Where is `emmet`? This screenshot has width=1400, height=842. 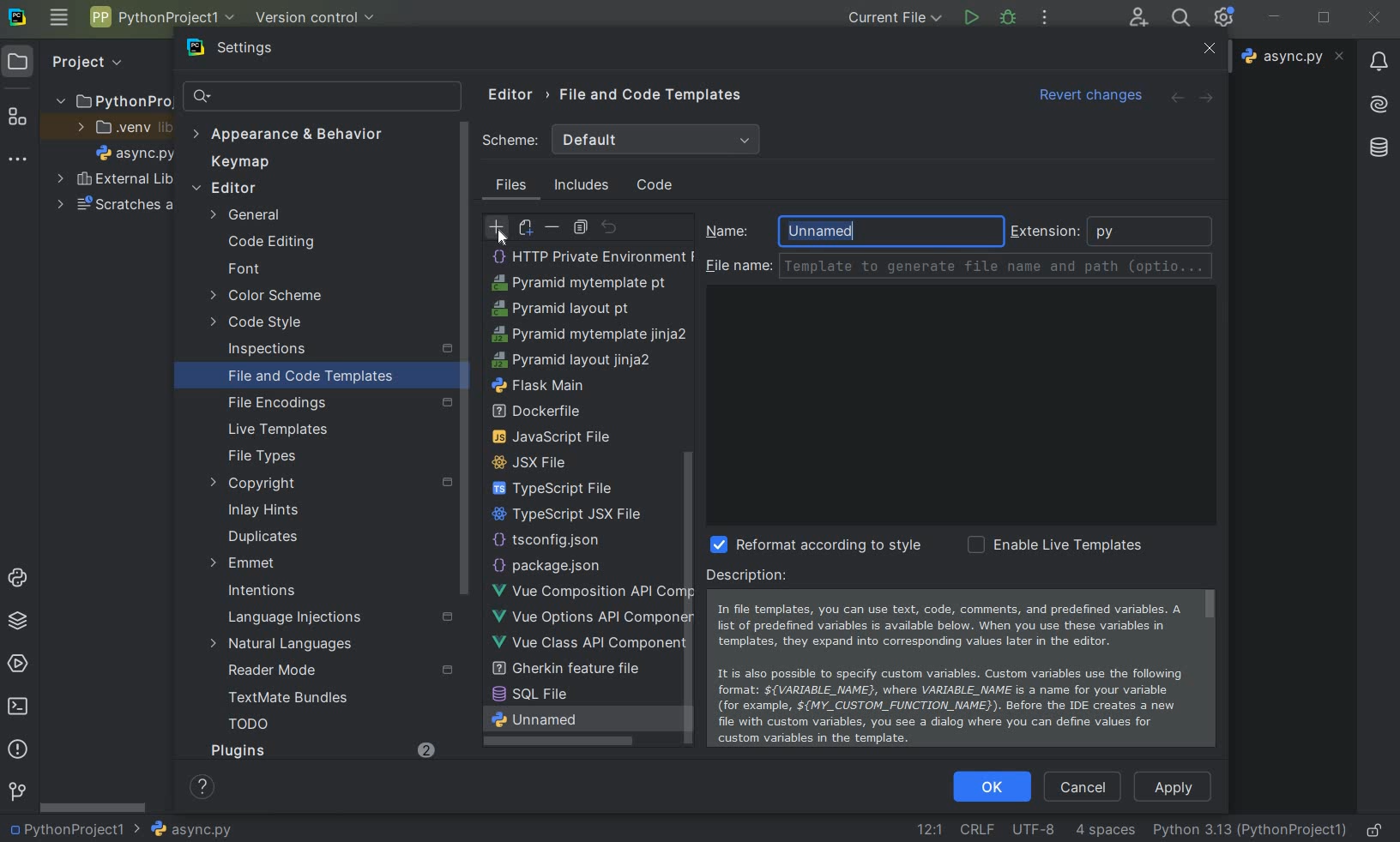 emmet is located at coordinates (259, 564).